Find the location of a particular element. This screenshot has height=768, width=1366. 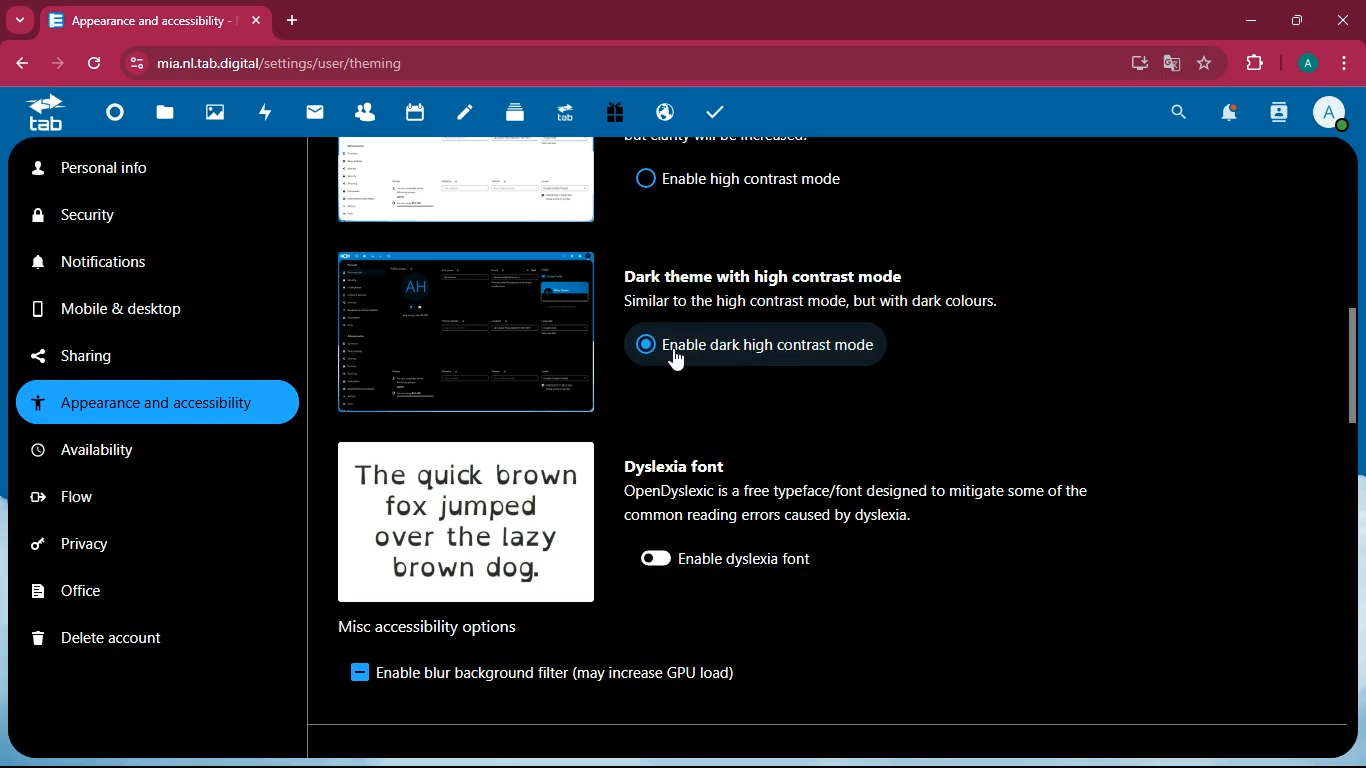

refresh is located at coordinates (91, 65).